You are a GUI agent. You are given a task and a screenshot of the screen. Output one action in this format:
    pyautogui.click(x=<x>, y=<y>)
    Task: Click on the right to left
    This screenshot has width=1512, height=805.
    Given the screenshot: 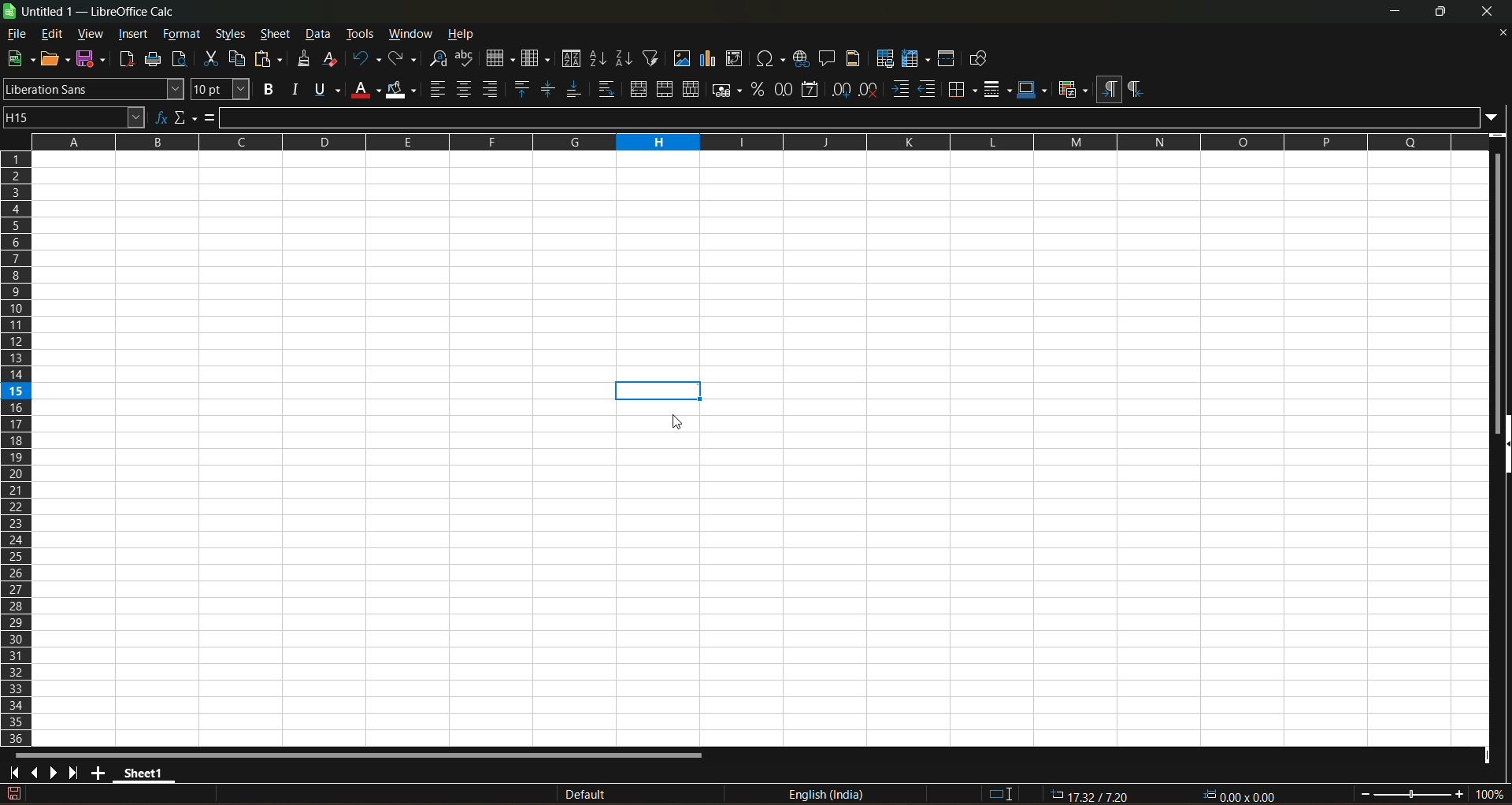 What is the action you would take?
    pyautogui.click(x=1135, y=90)
    